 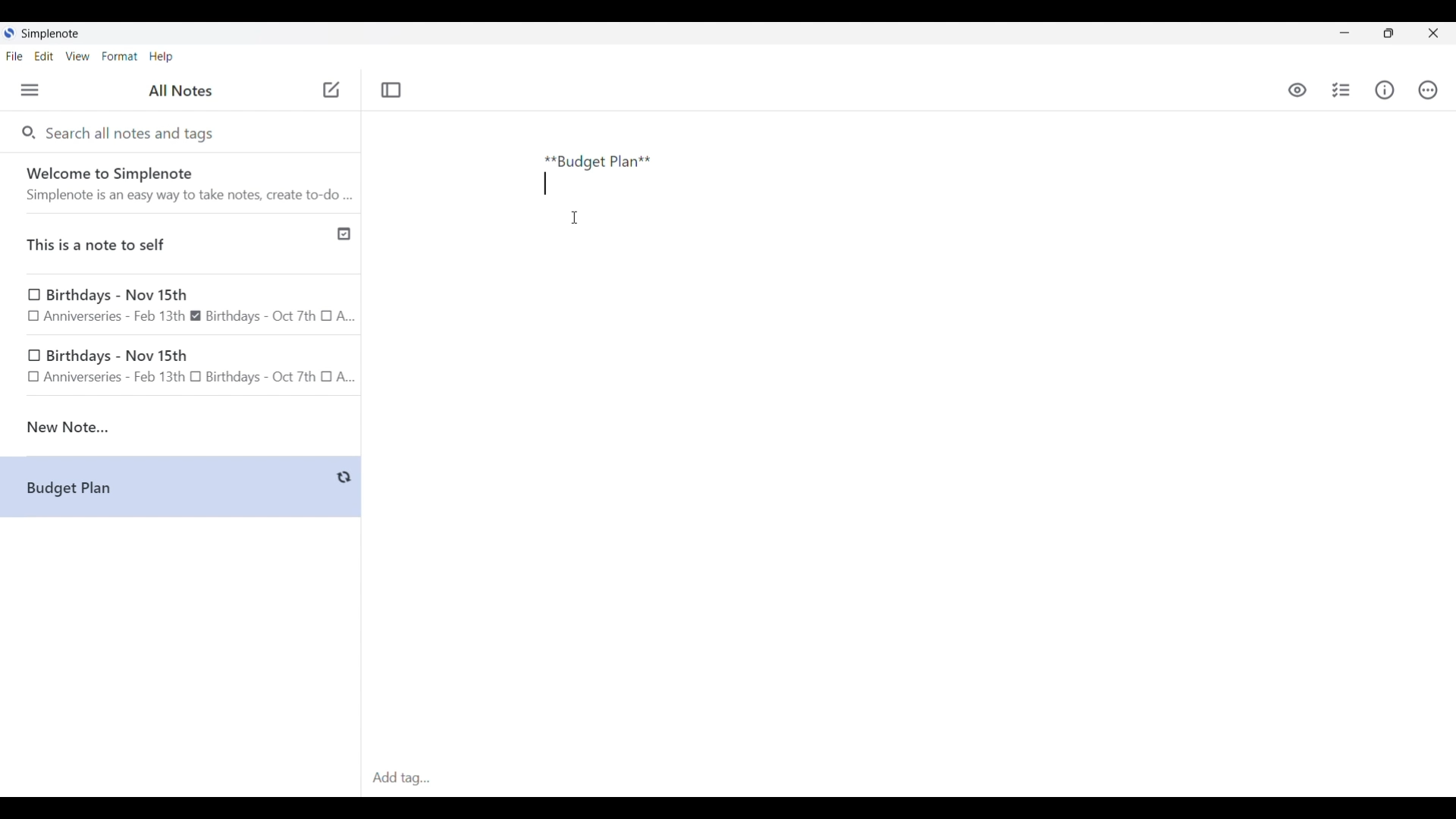 What do you see at coordinates (575, 218) in the screenshot?
I see `Cursor position unchanged` at bounding box center [575, 218].